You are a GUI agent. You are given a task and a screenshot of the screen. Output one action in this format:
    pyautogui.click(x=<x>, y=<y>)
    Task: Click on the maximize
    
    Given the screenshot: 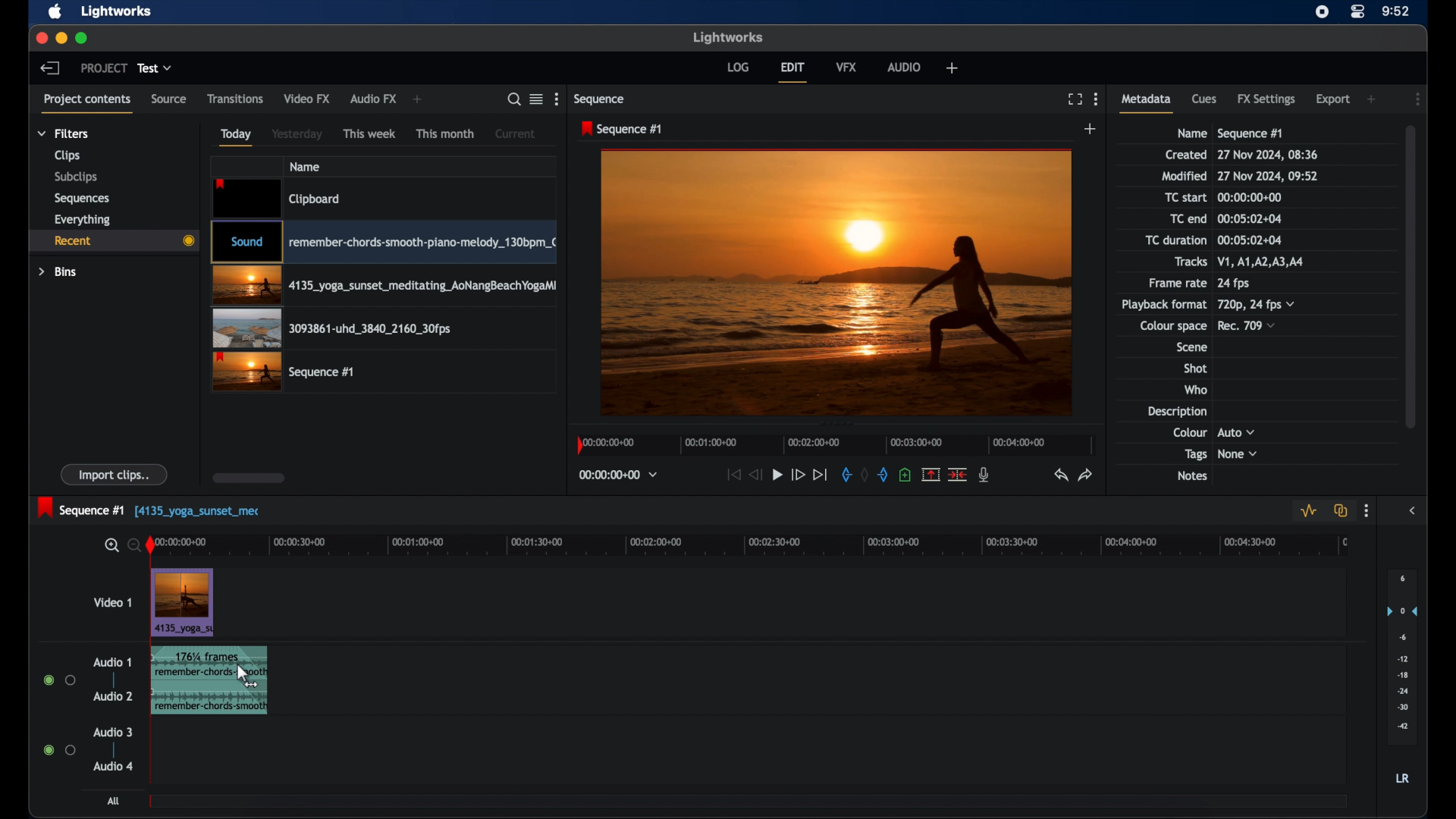 What is the action you would take?
    pyautogui.click(x=83, y=38)
    